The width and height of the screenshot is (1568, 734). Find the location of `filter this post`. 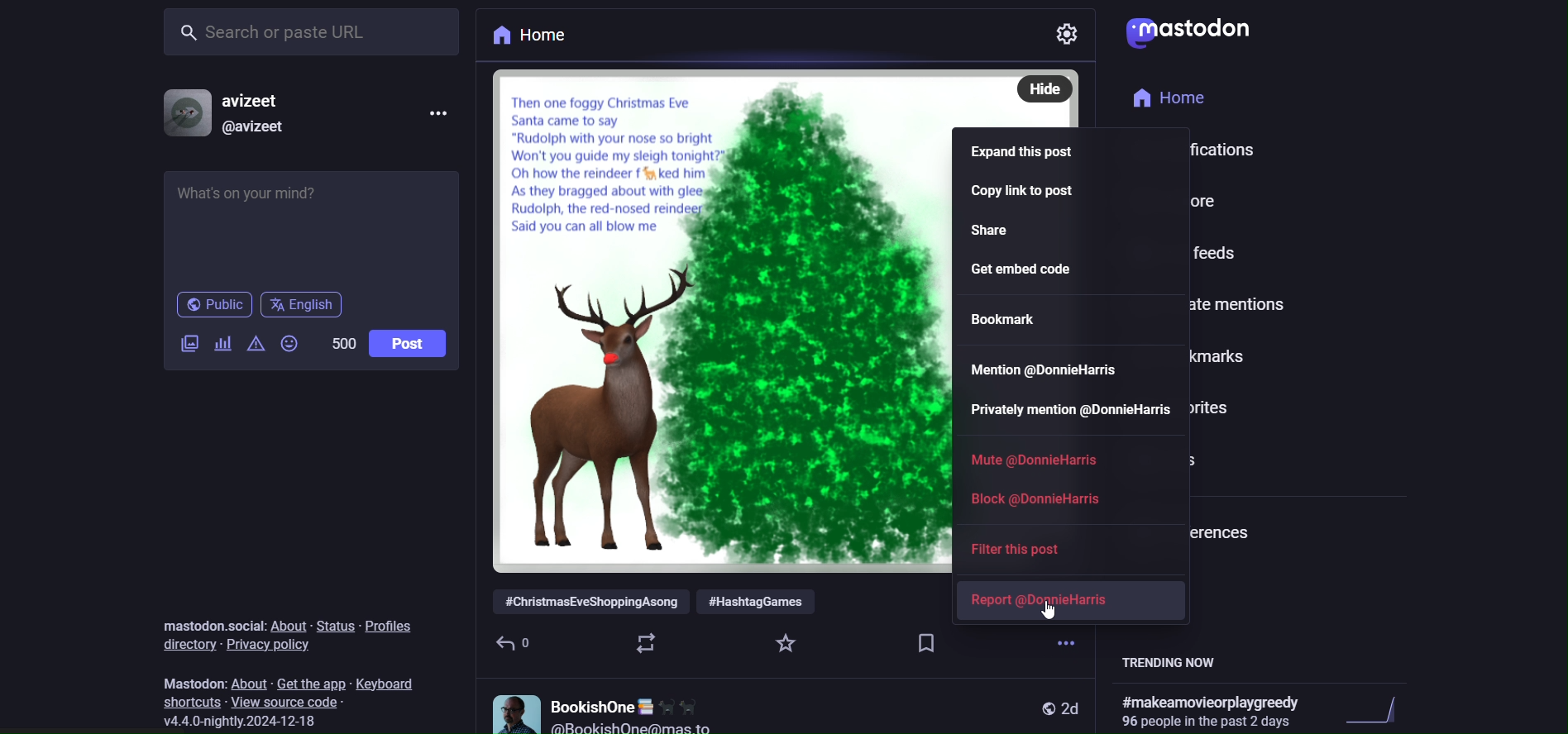

filter this post is located at coordinates (1019, 548).